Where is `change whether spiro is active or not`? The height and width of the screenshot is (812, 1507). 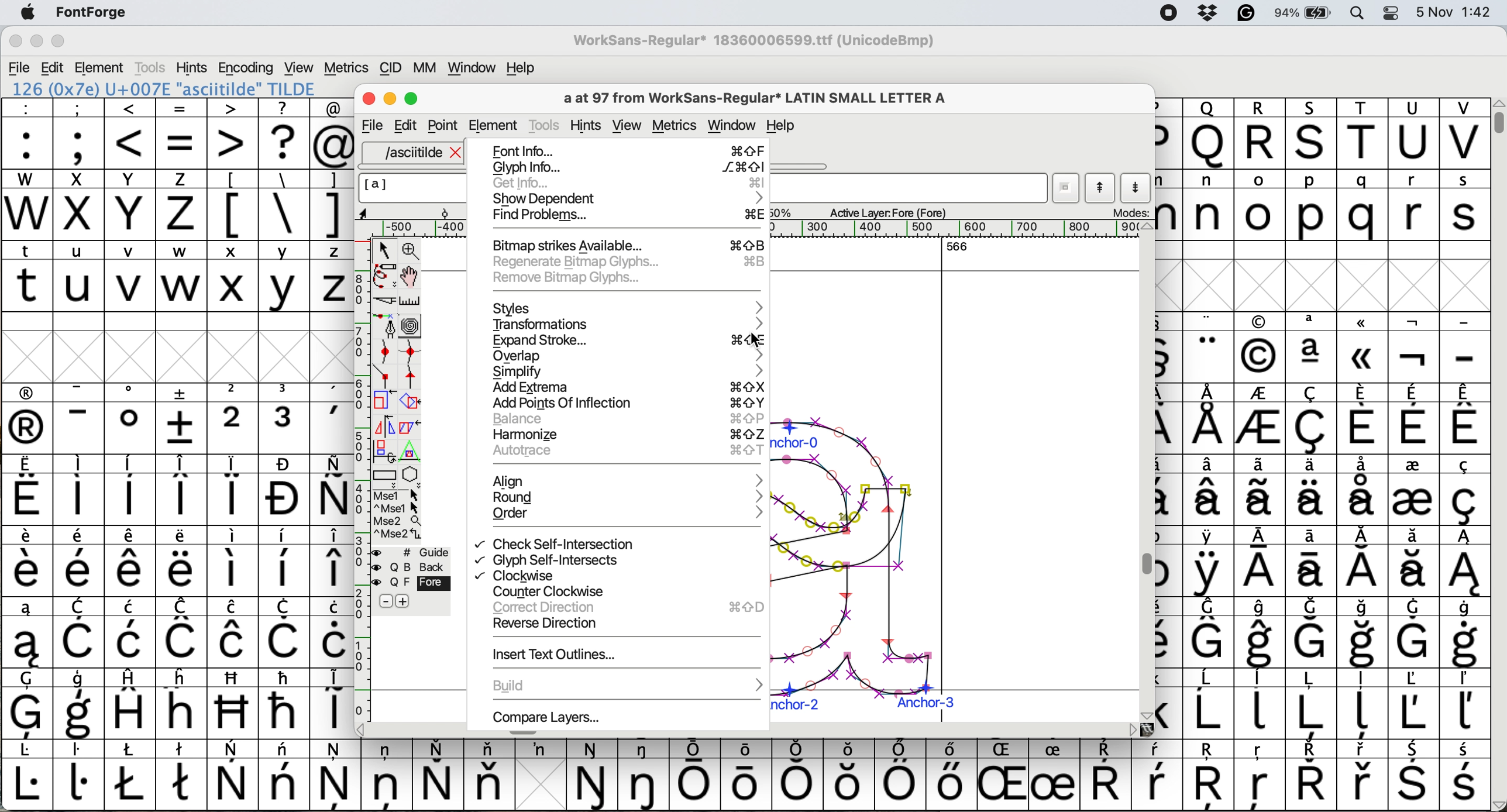
change whether spiro is active or not is located at coordinates (411, 325).